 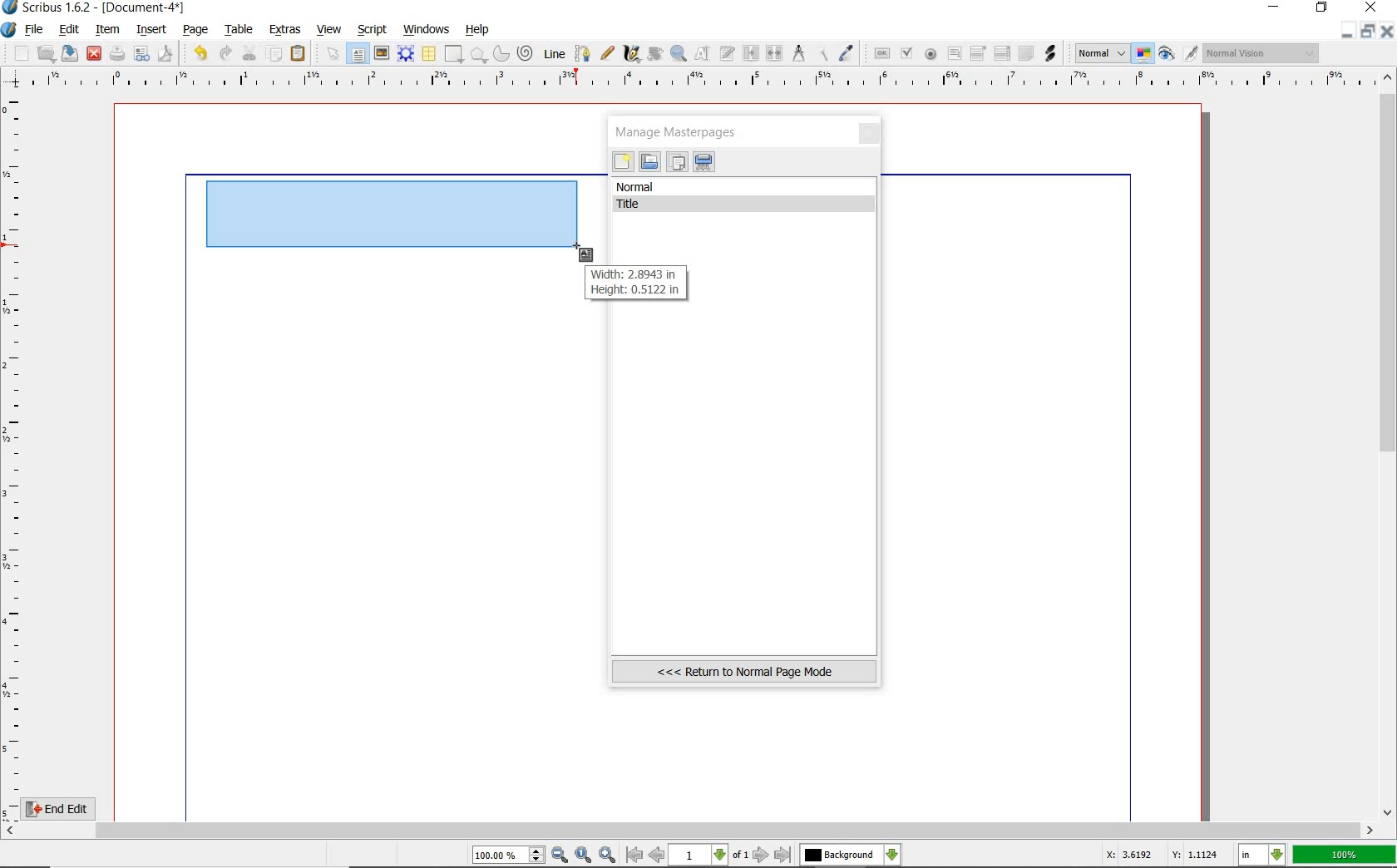 What do you see at coordinates (510, 856) in the screenshot?
I see `100.00%` at bounding box center [510, 856].